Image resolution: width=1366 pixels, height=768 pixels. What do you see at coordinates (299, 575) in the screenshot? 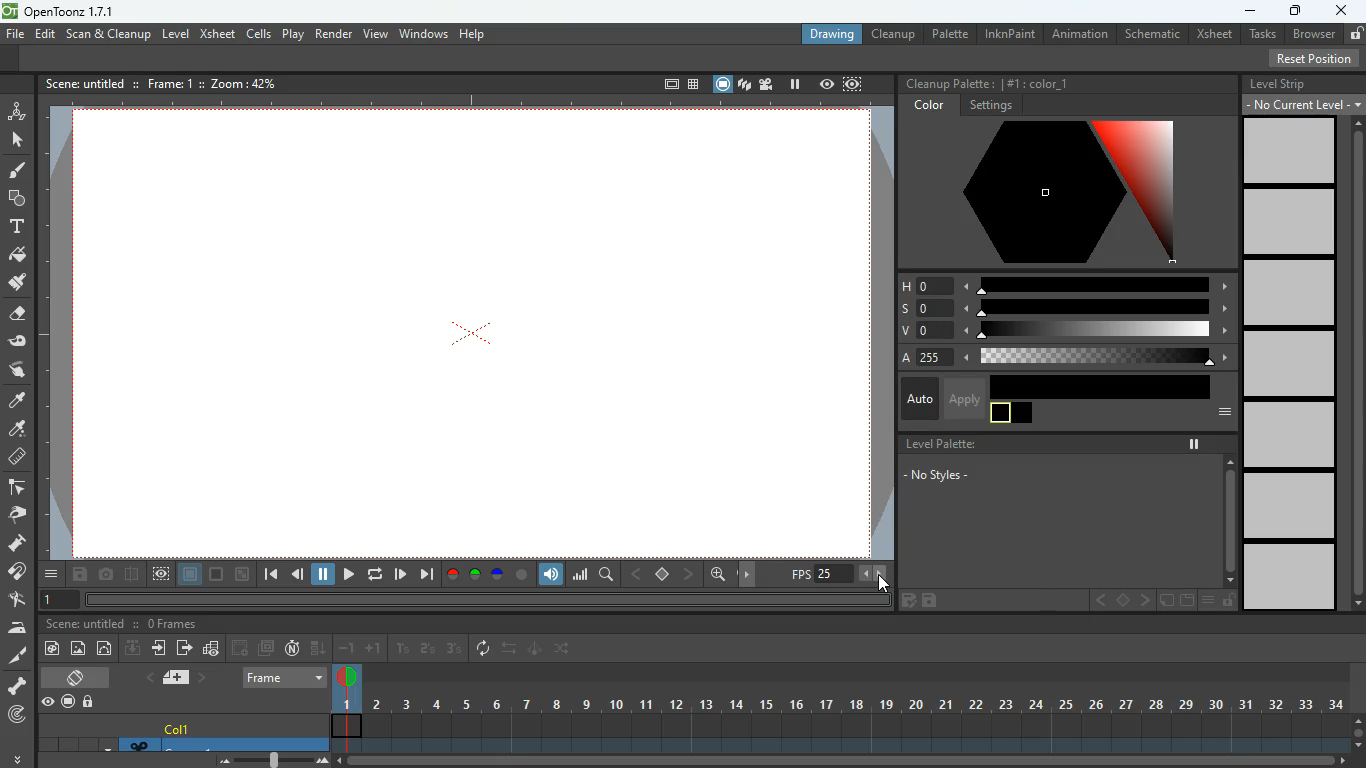
I see `back` at bounding box center [299, 575].